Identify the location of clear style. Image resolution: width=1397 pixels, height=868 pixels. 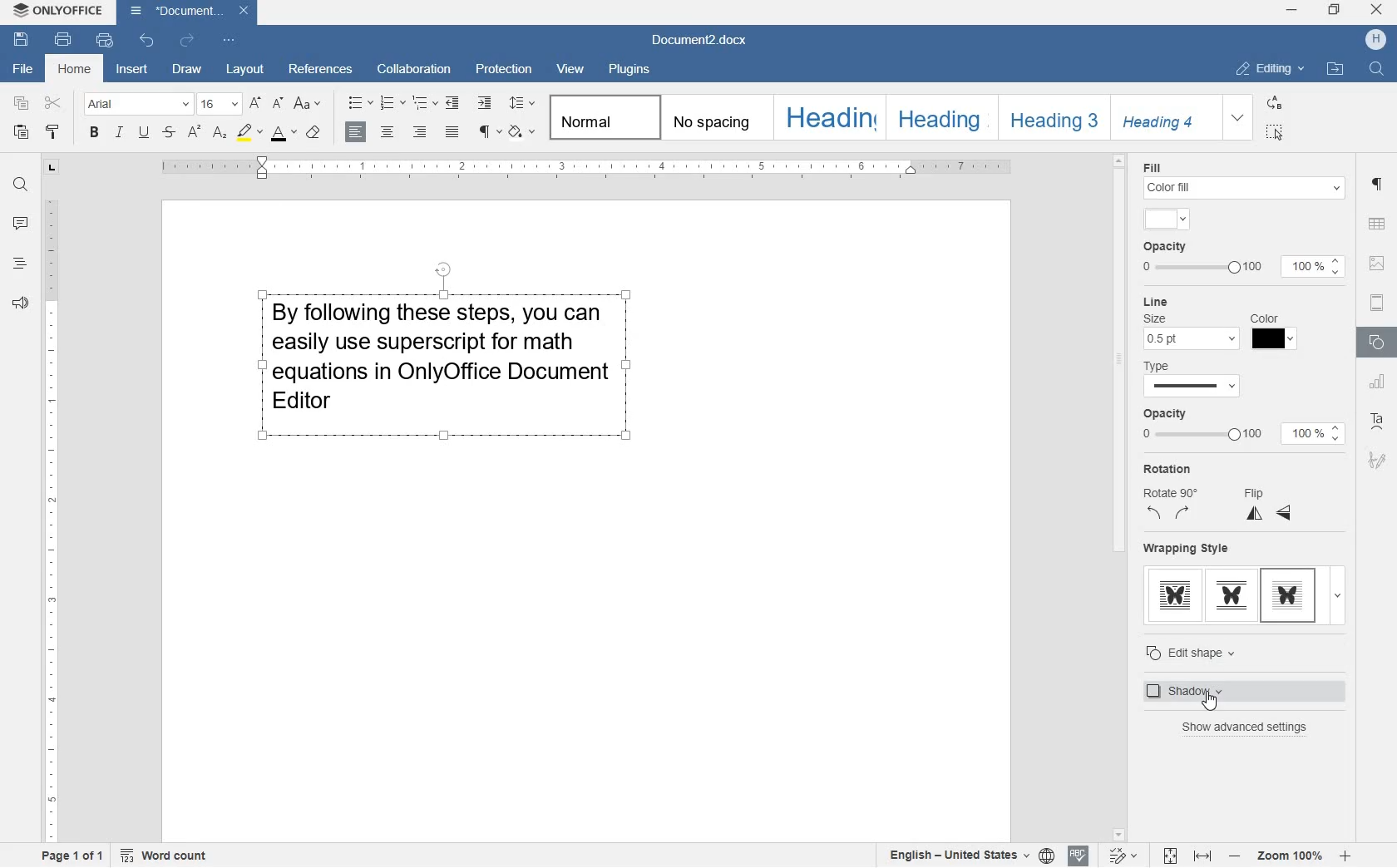
(313, 133).